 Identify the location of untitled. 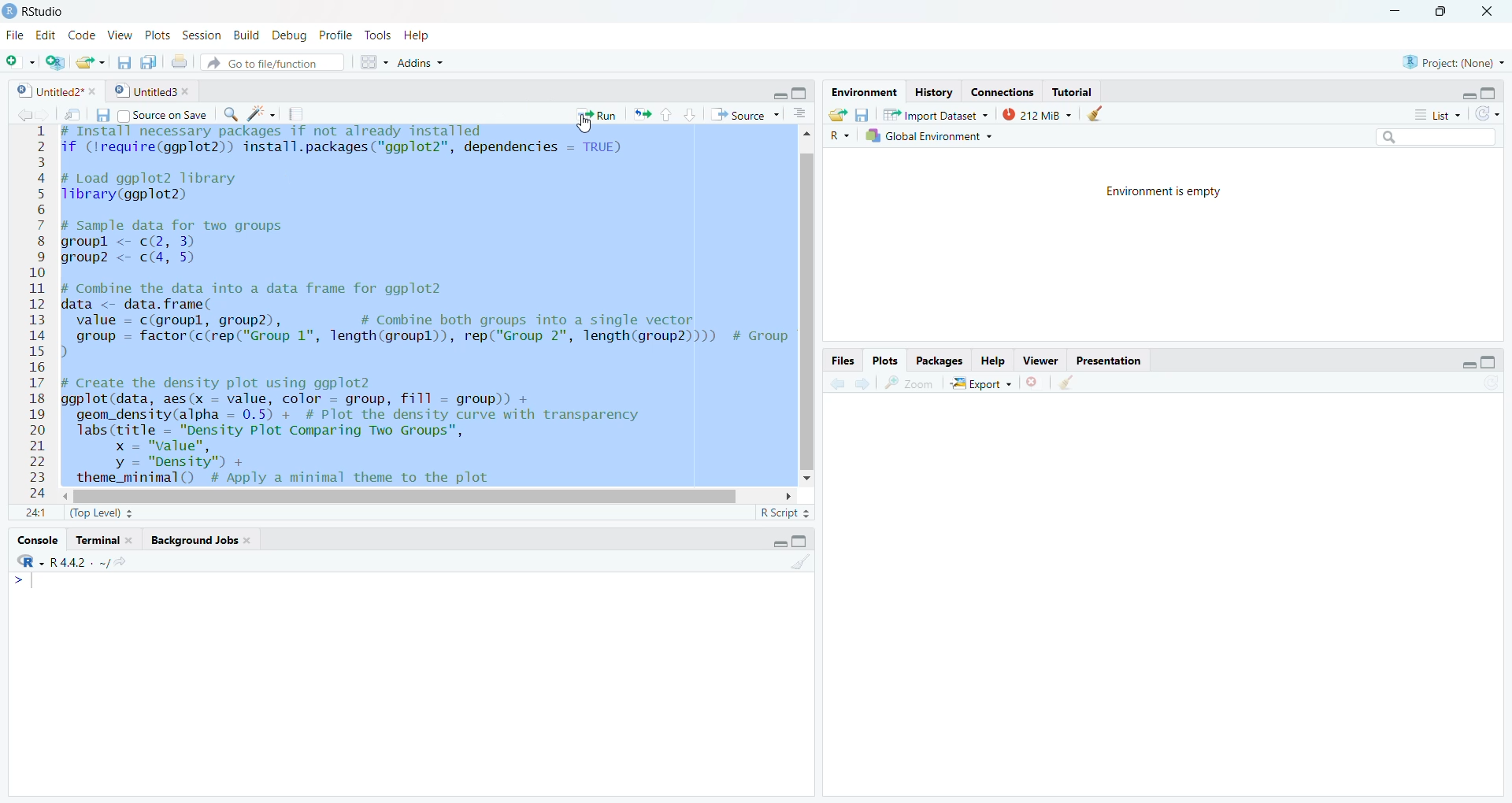
(150, 92).